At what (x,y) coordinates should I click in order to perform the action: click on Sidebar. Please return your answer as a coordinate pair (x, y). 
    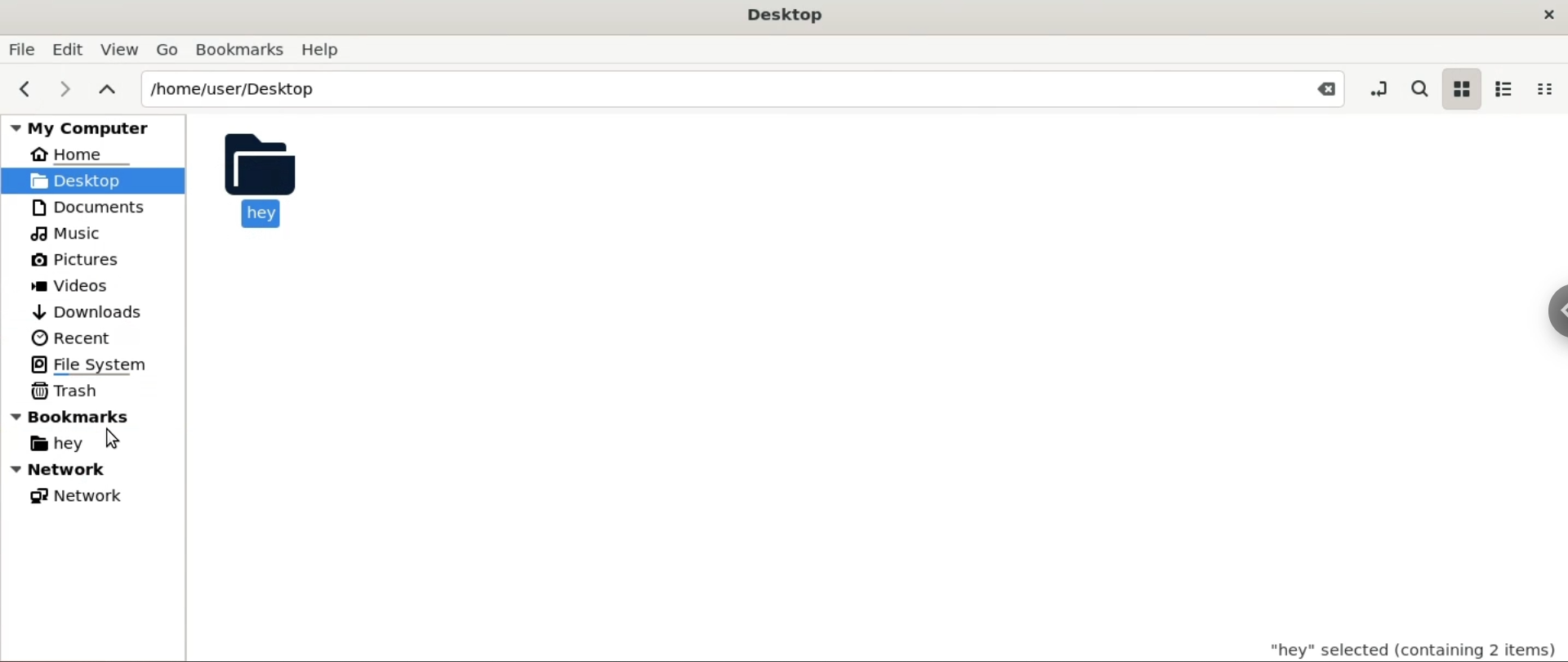
    Looking at the image, I should click on (1548, 326).